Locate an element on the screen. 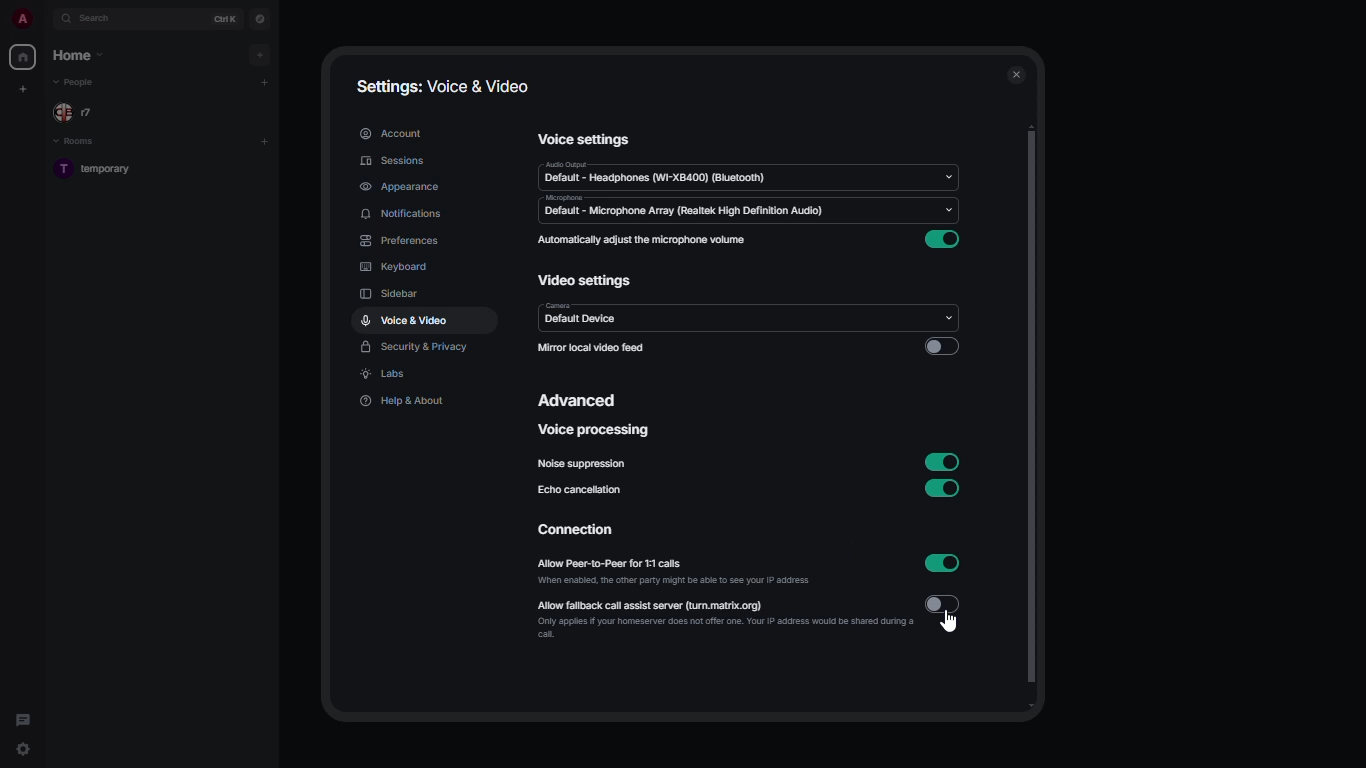  notifications is located at coordinates (401, 214).